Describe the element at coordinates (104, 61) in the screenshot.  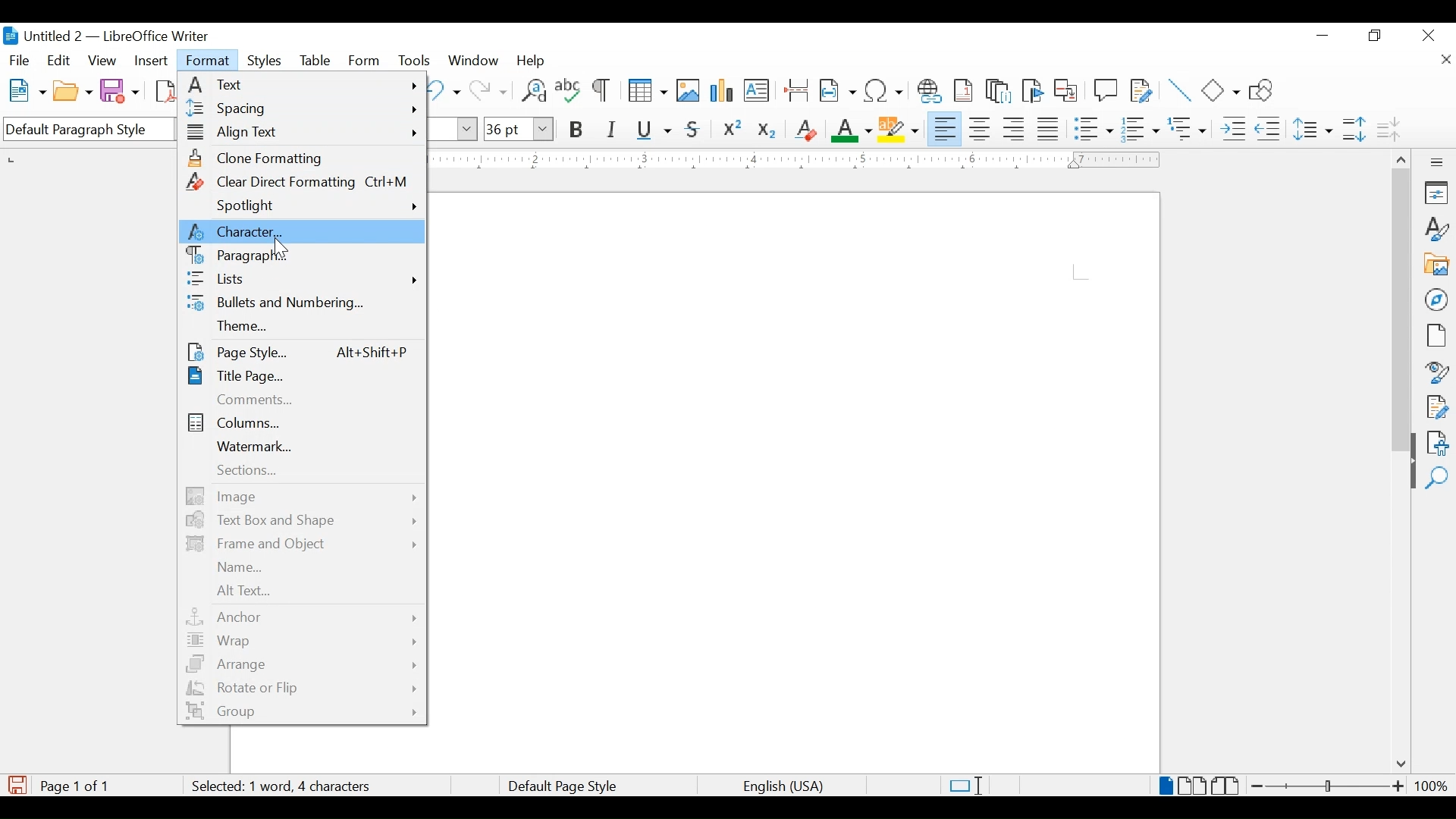
I see `view` at that location.